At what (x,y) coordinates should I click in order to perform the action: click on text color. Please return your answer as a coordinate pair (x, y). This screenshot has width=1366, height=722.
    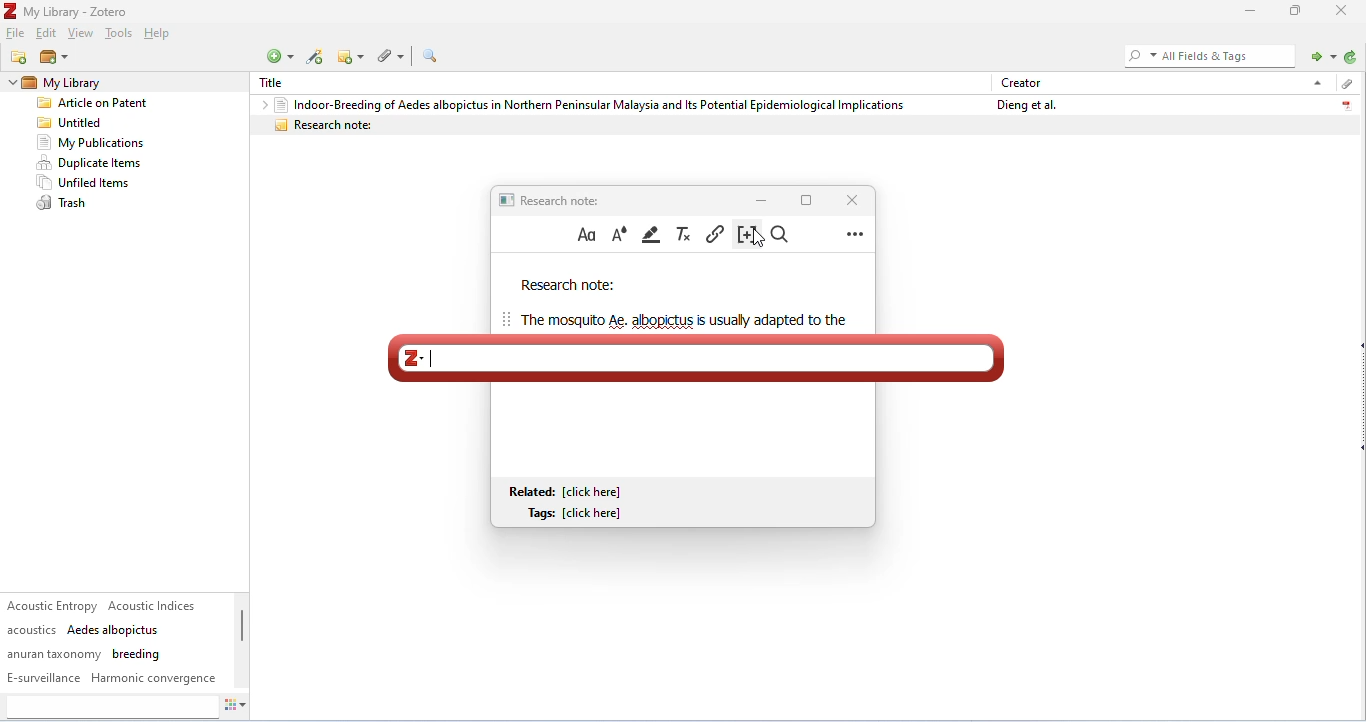
    Looking at the image, I should click on (619, 234).